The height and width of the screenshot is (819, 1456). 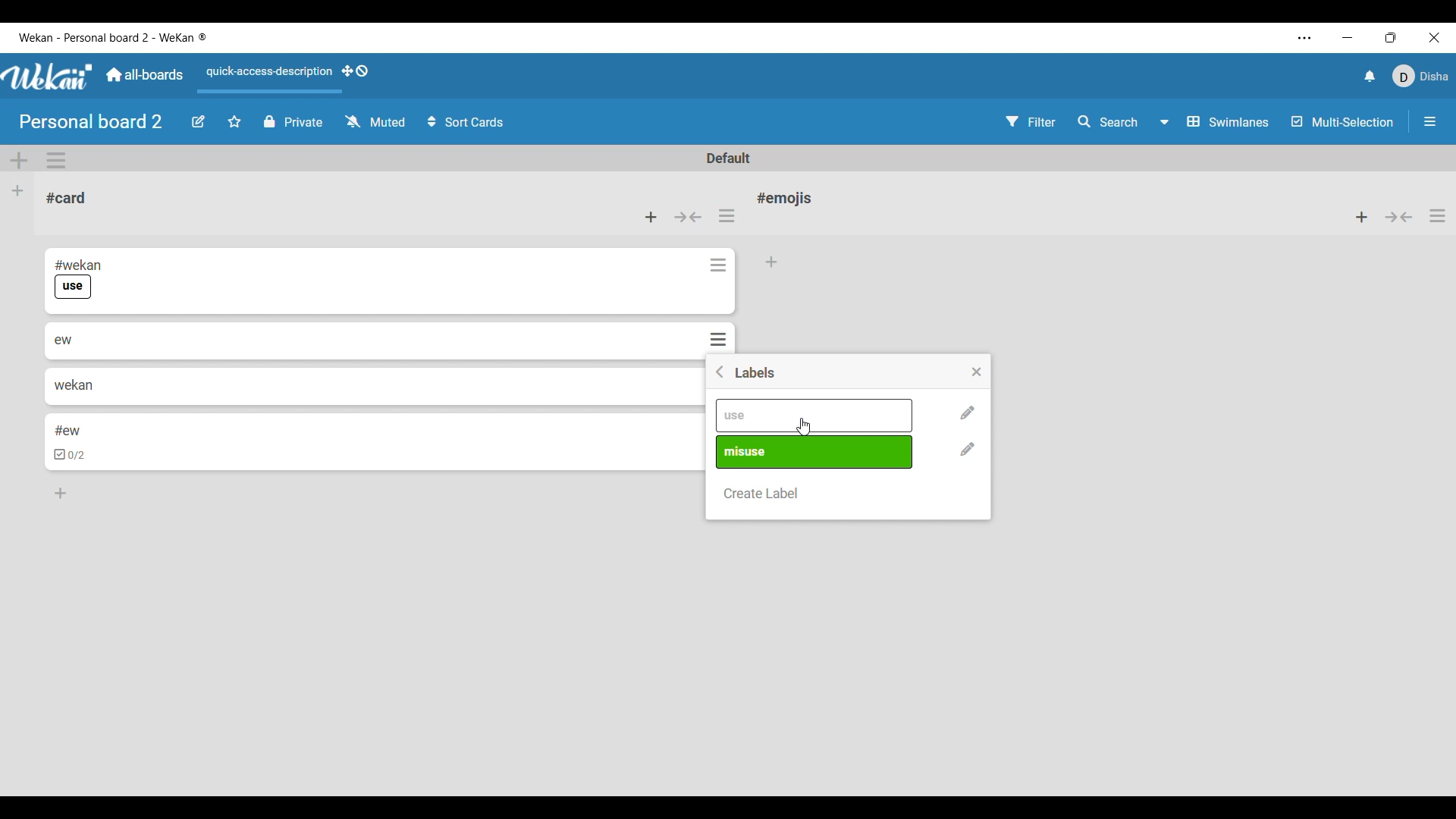 I want to click on List actions, so click(x=726, y=215).